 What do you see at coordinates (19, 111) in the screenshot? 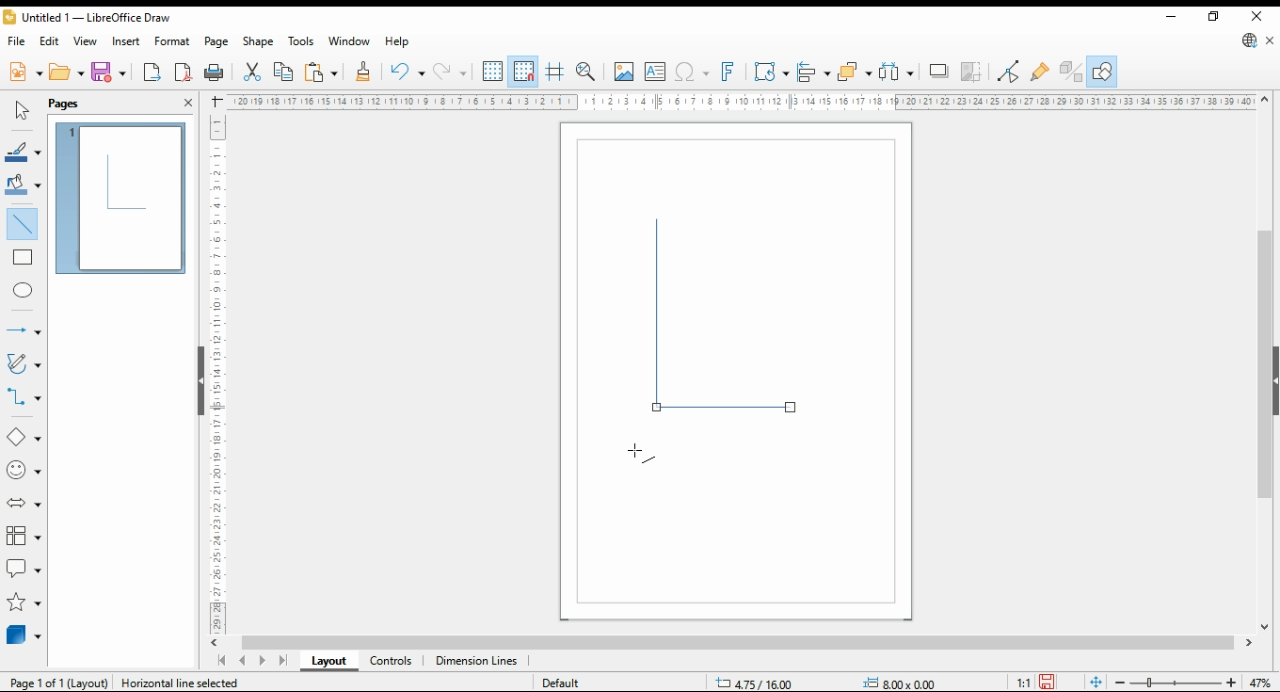
I see `select` at bounding box center [19, 111].